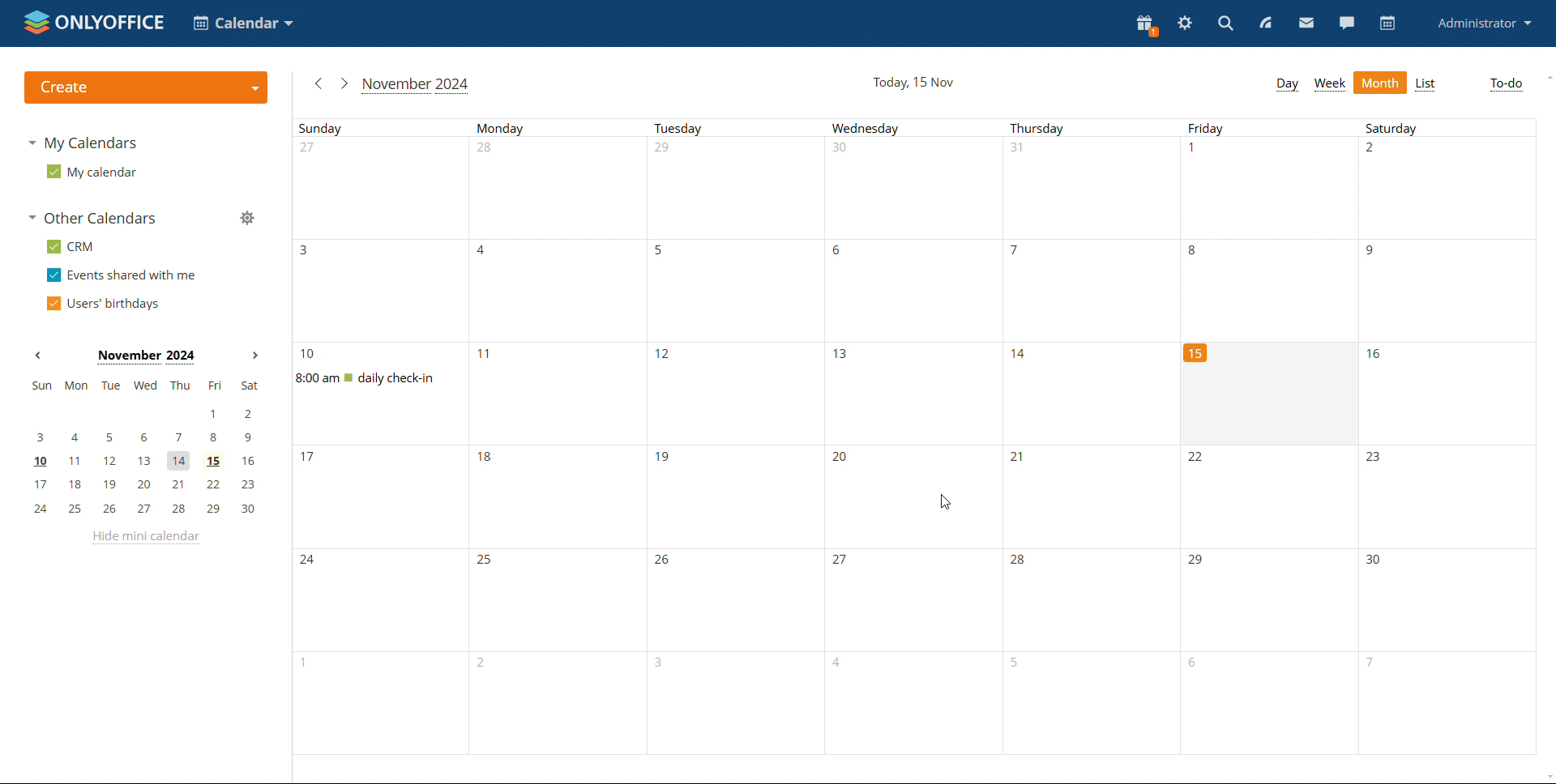  I want to click on scroll down, so click(1537, 772).